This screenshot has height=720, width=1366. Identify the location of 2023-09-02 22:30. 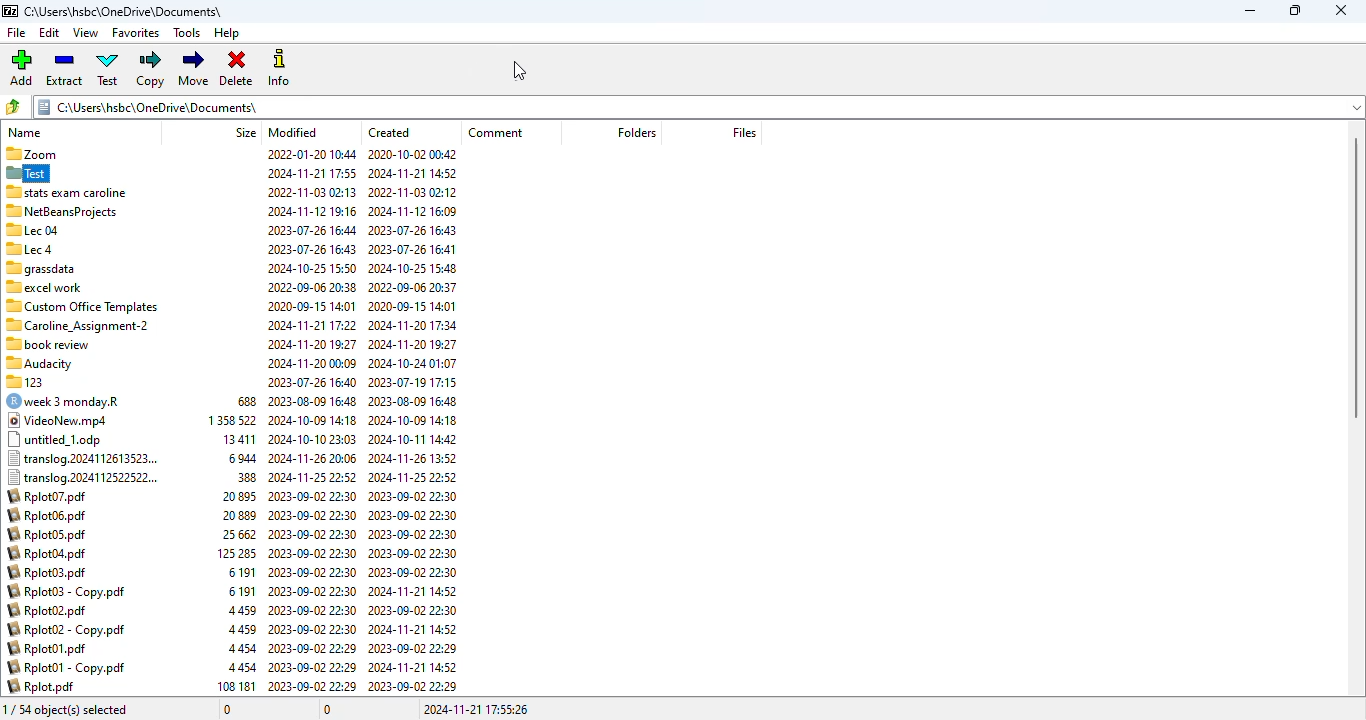
(415, 553).